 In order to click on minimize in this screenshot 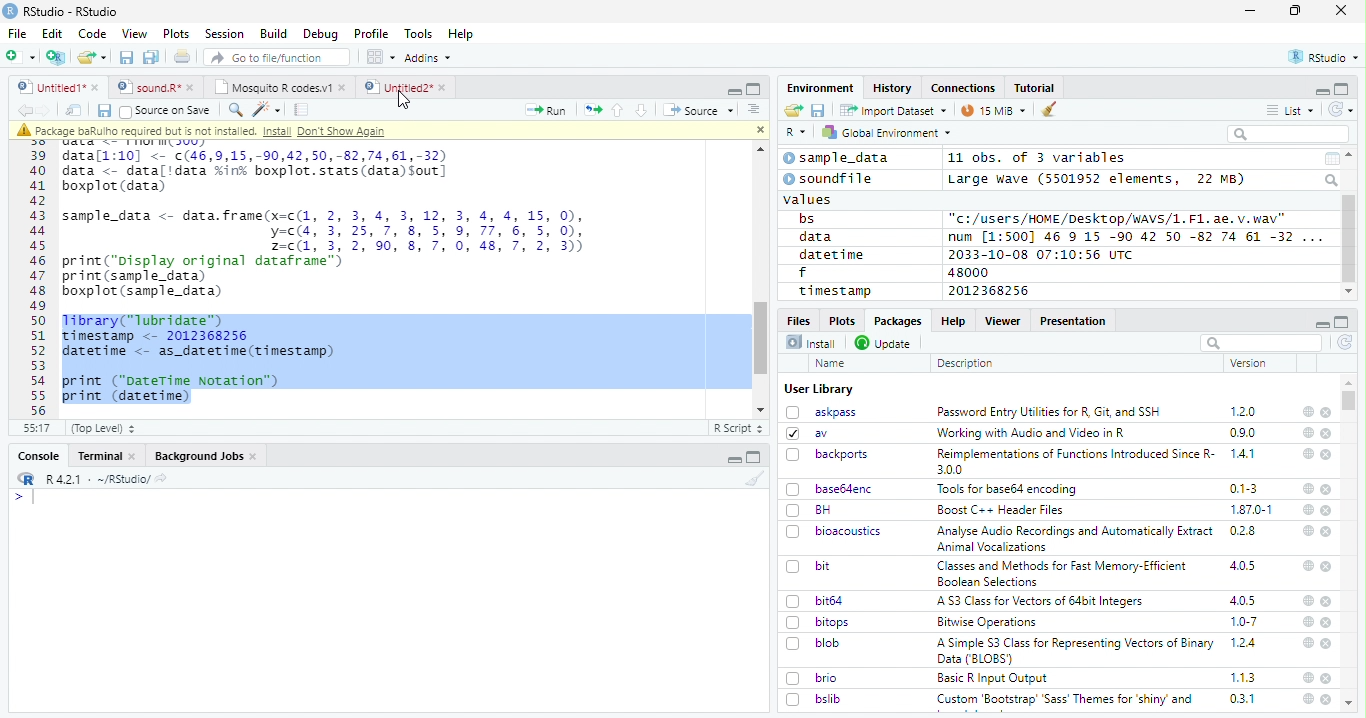, I will do `click(736, 457)`.